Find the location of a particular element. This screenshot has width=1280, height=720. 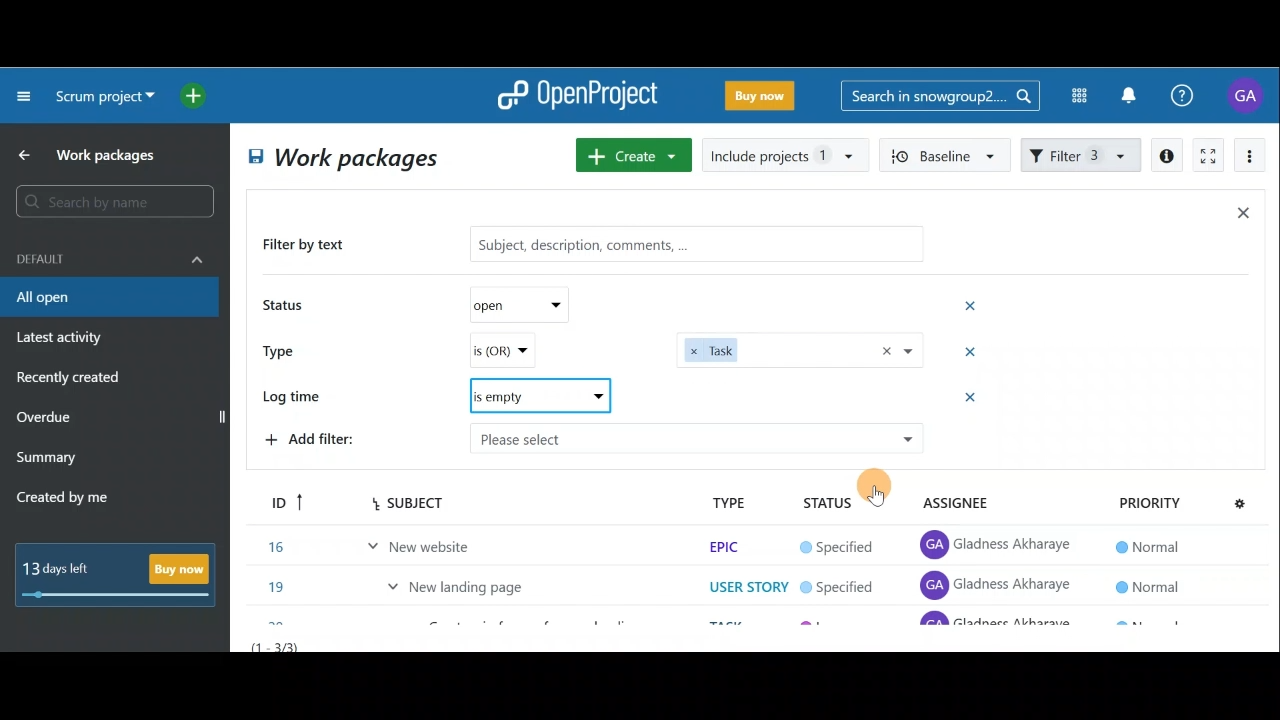

Baseline is located at coordinates (946, 154).